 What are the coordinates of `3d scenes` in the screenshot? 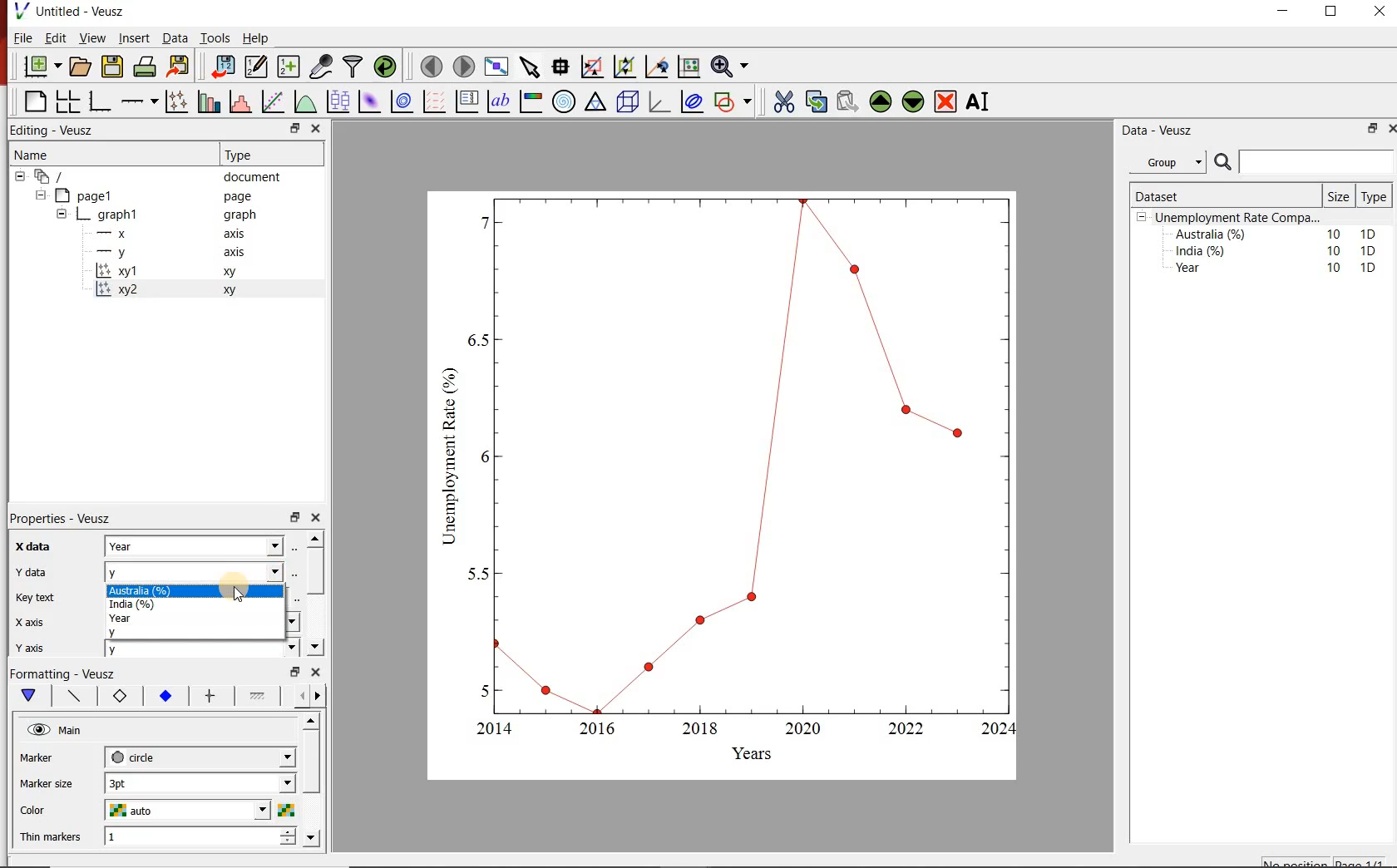 It's located at (625, 101).